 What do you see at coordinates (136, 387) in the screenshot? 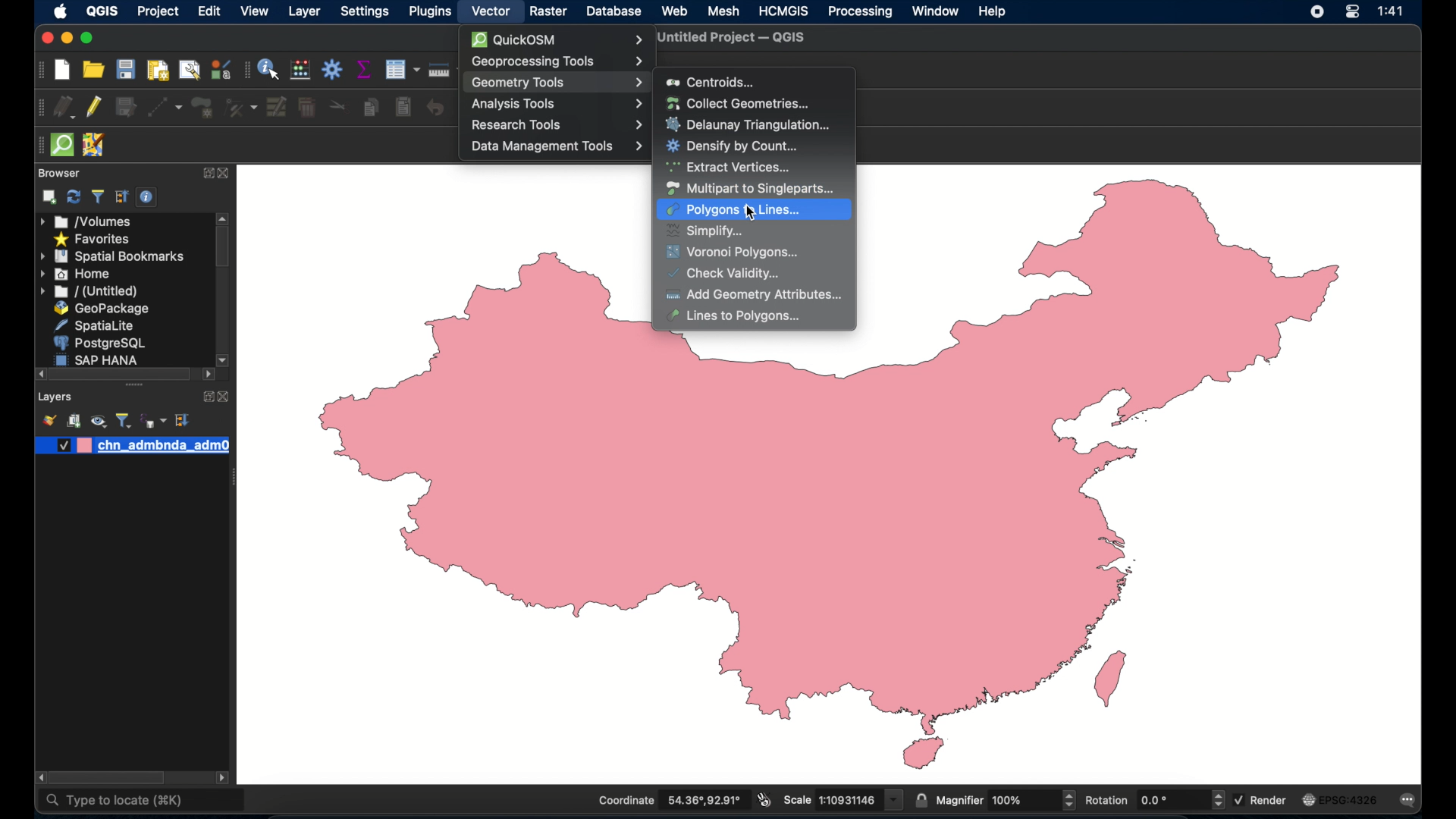
I see `drag handles` at bounding box center [136, 387].